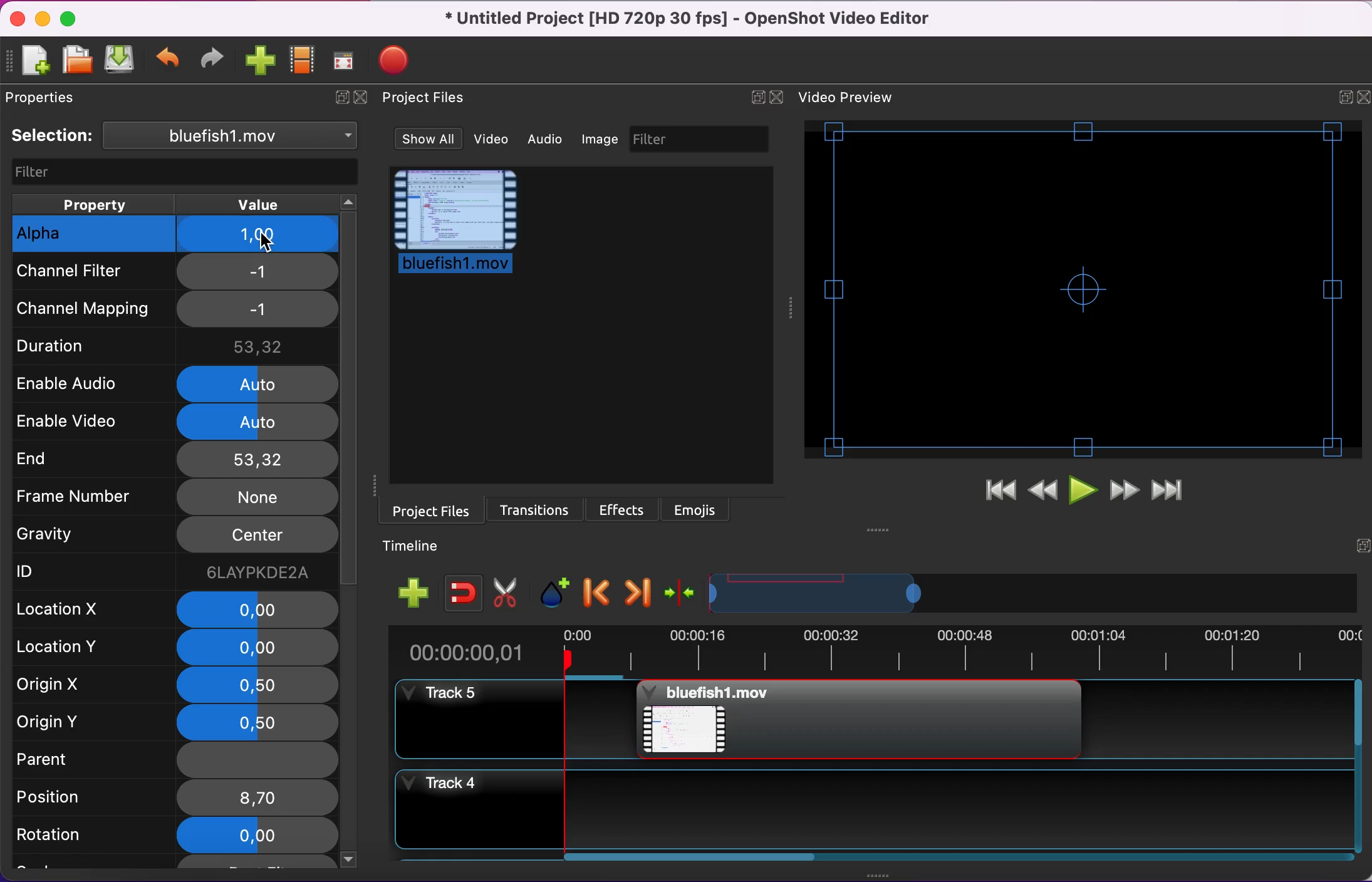 This screenshot has height=882, width=1372. I want to click on value, so click(272, 203).